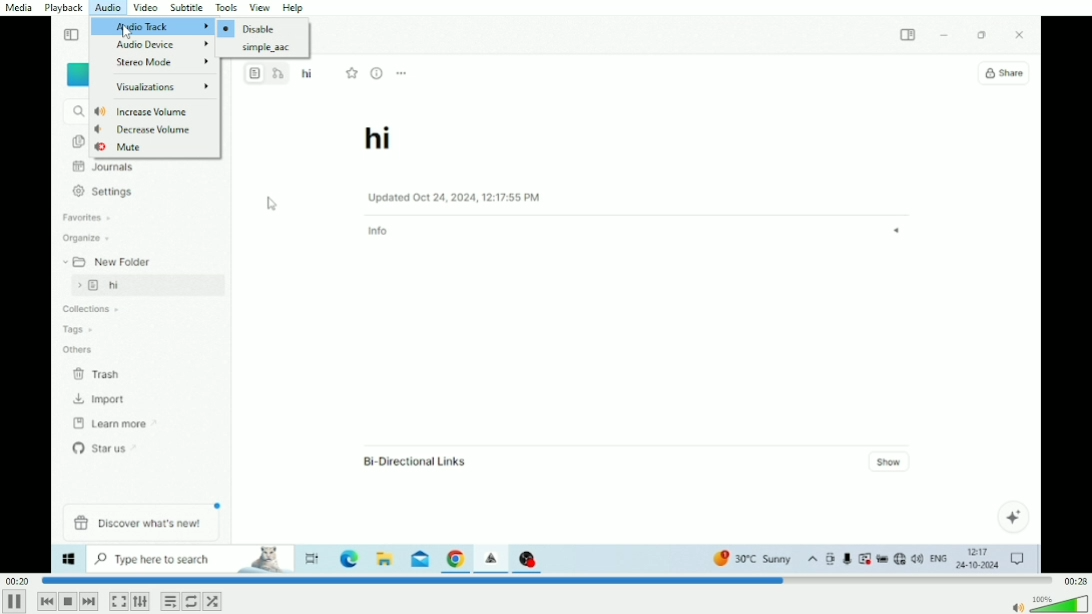 This screenshot has height=614, width=1092. Describe the element at coordinates (145, 8) in the screenshot. I see `Video` at that location.